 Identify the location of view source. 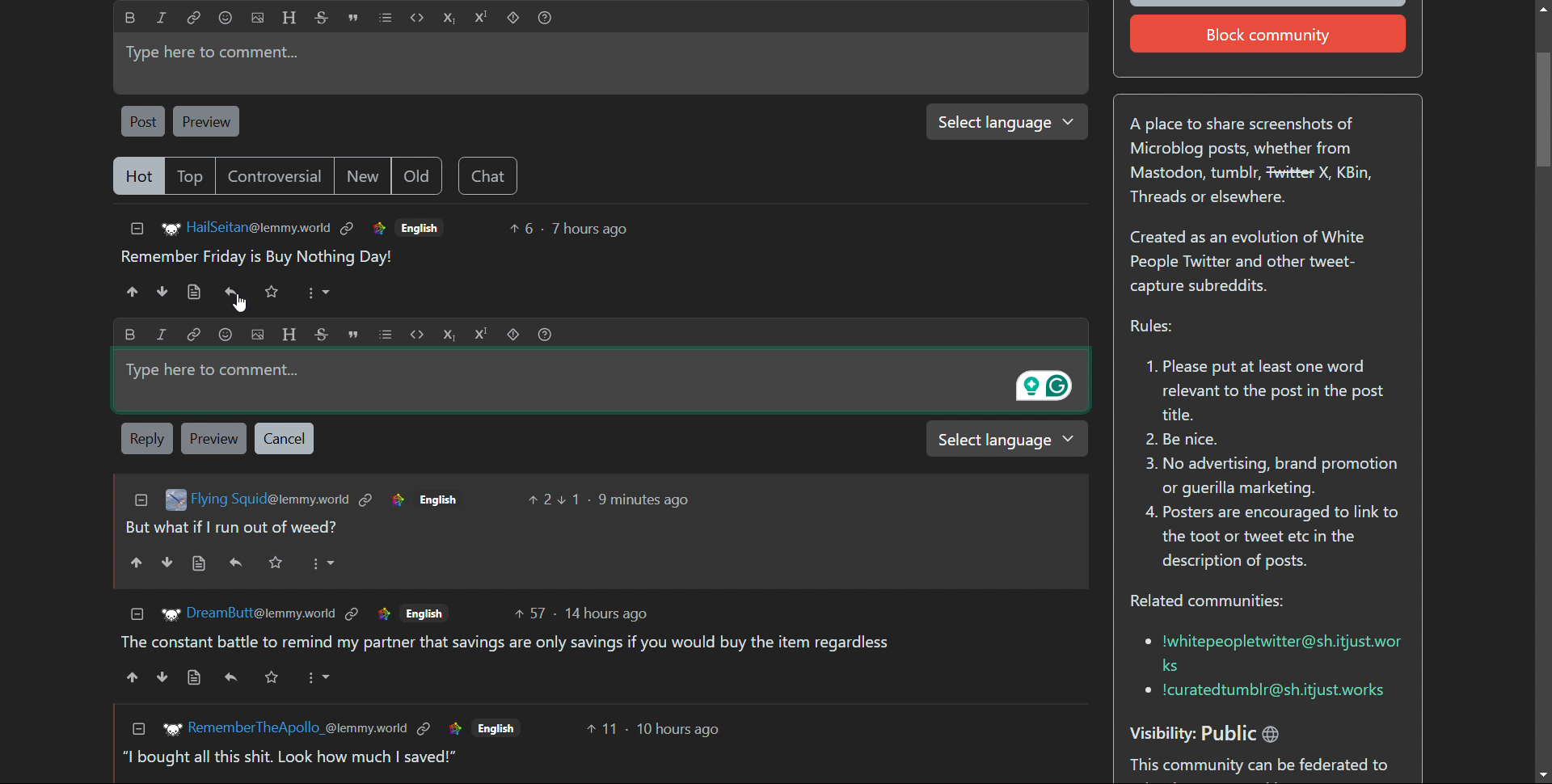
(193, 292).